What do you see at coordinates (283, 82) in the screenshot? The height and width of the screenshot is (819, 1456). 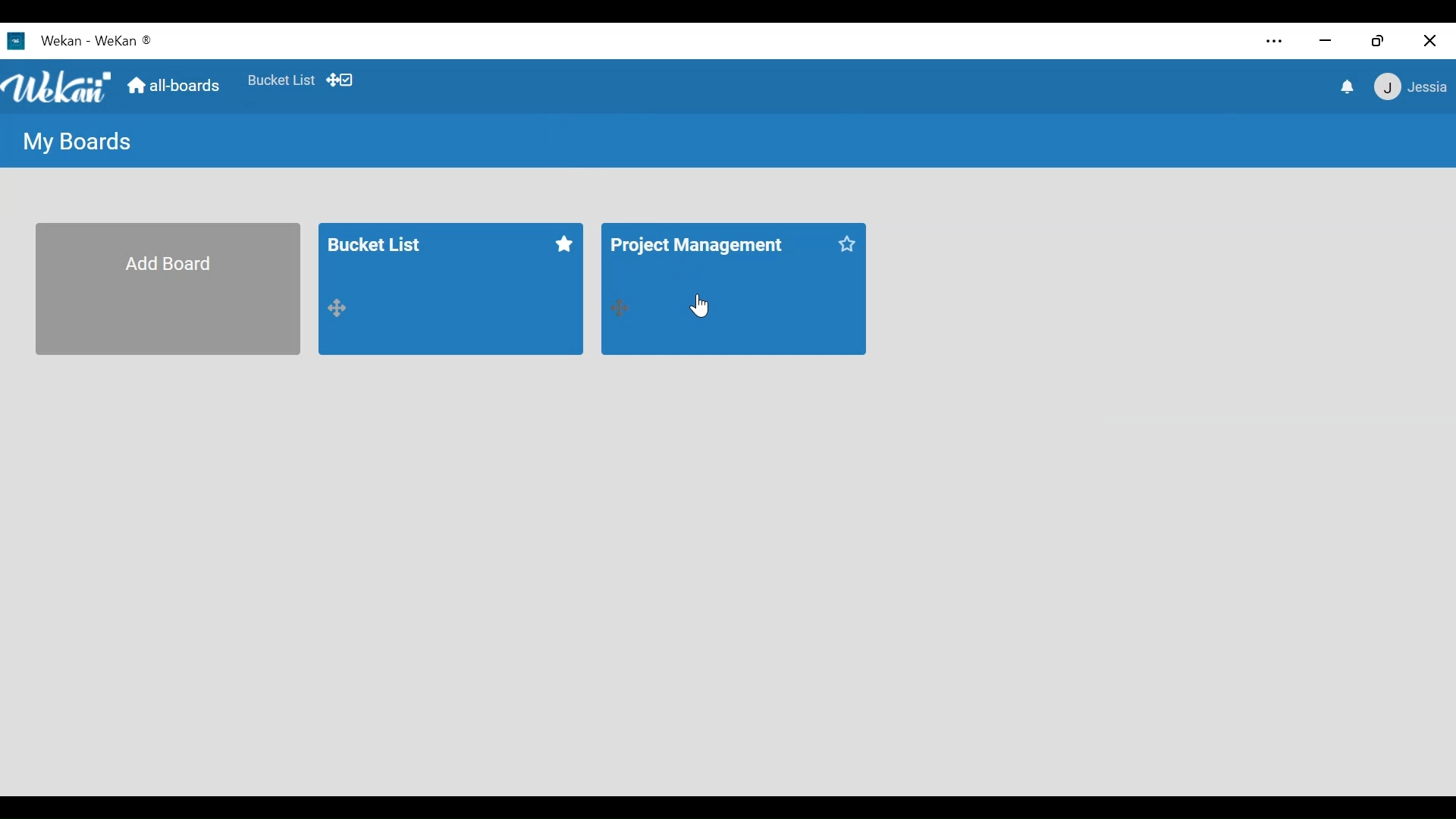 I see `Favorites` at bounding box center [283, 82].